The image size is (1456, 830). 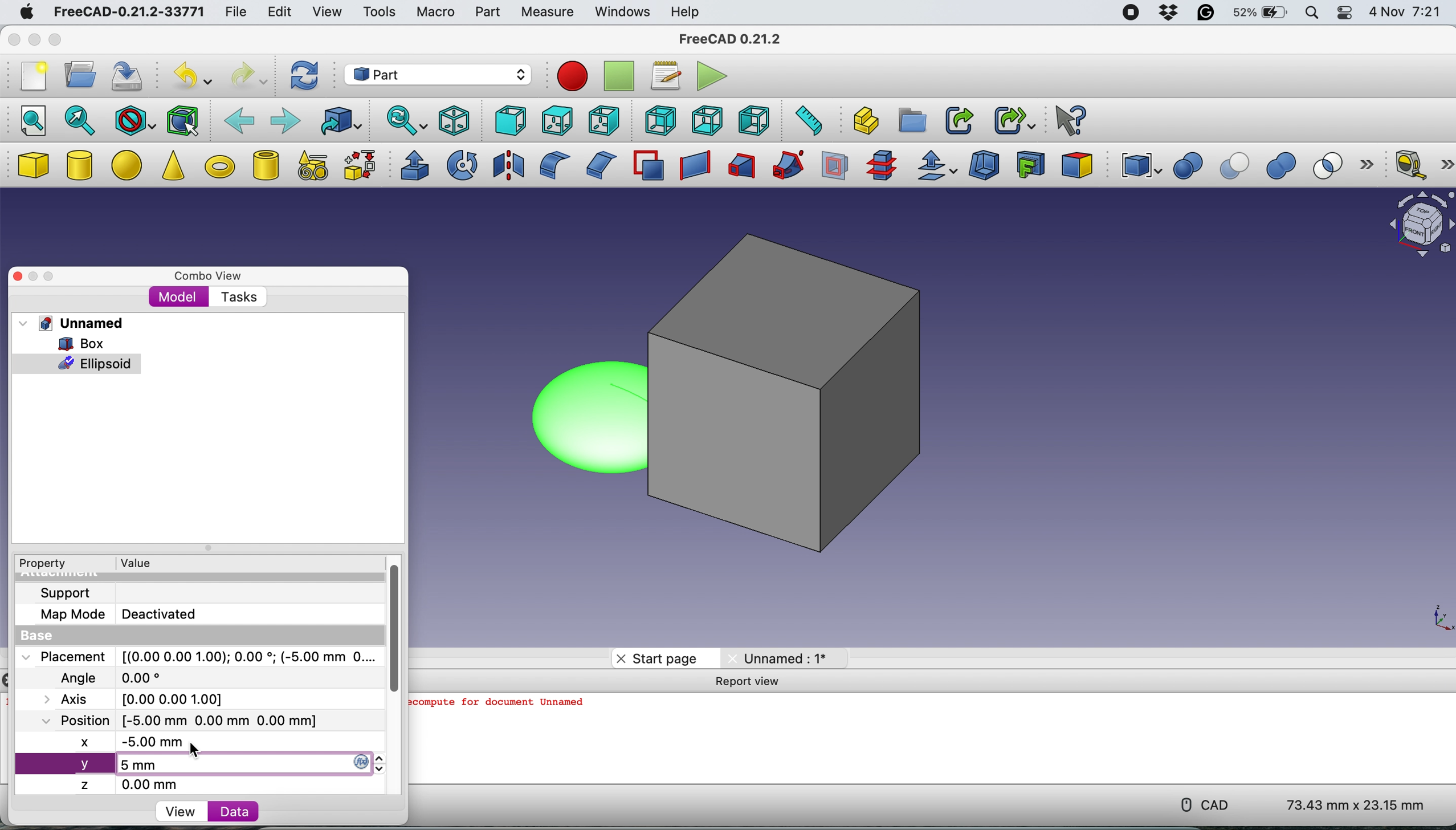 What do you see at coordinates (239, 119) in the screenshot?
I see `backward` at bounding box center [239, 119].